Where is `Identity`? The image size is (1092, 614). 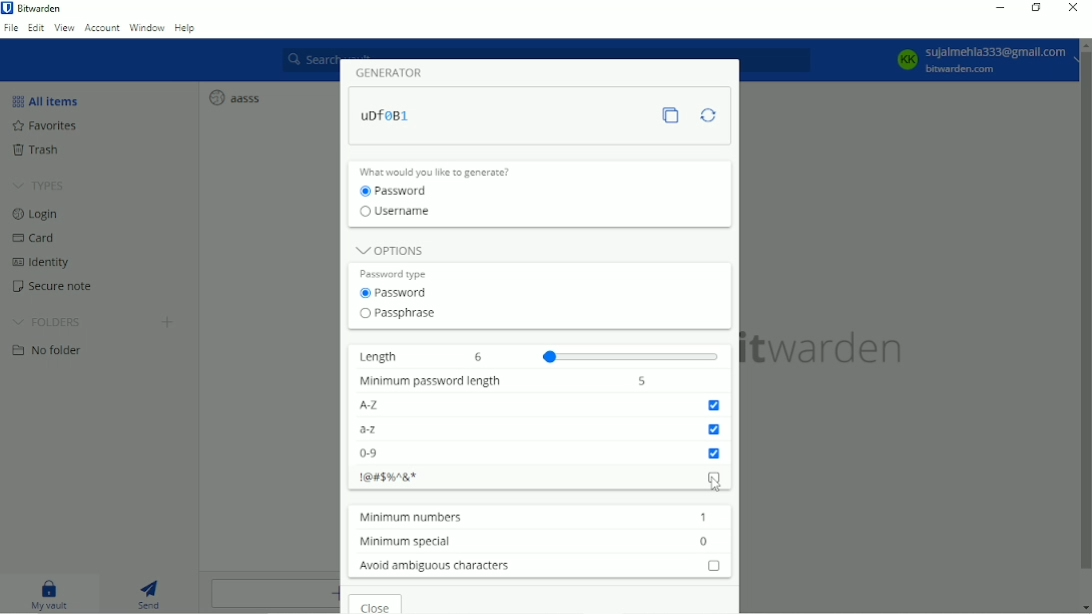
Identity is located at coordinates (45, 261).